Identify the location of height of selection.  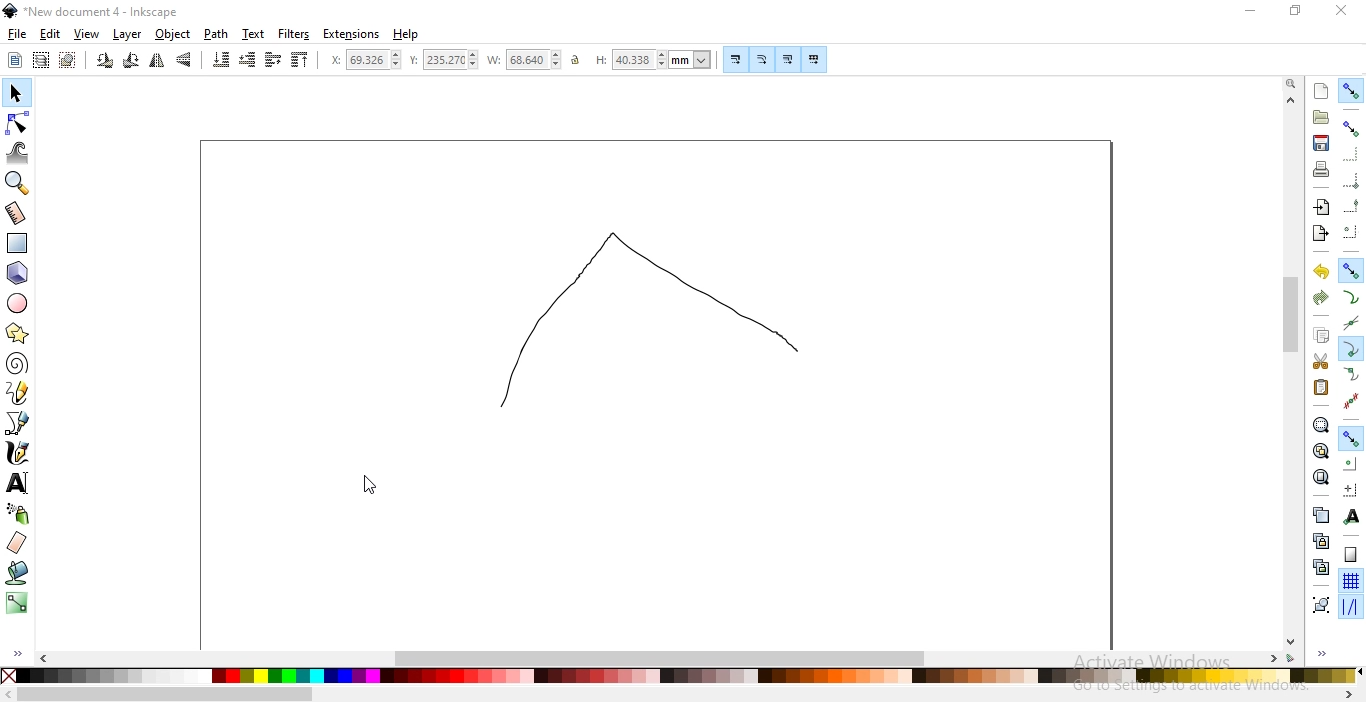
(653, 59).